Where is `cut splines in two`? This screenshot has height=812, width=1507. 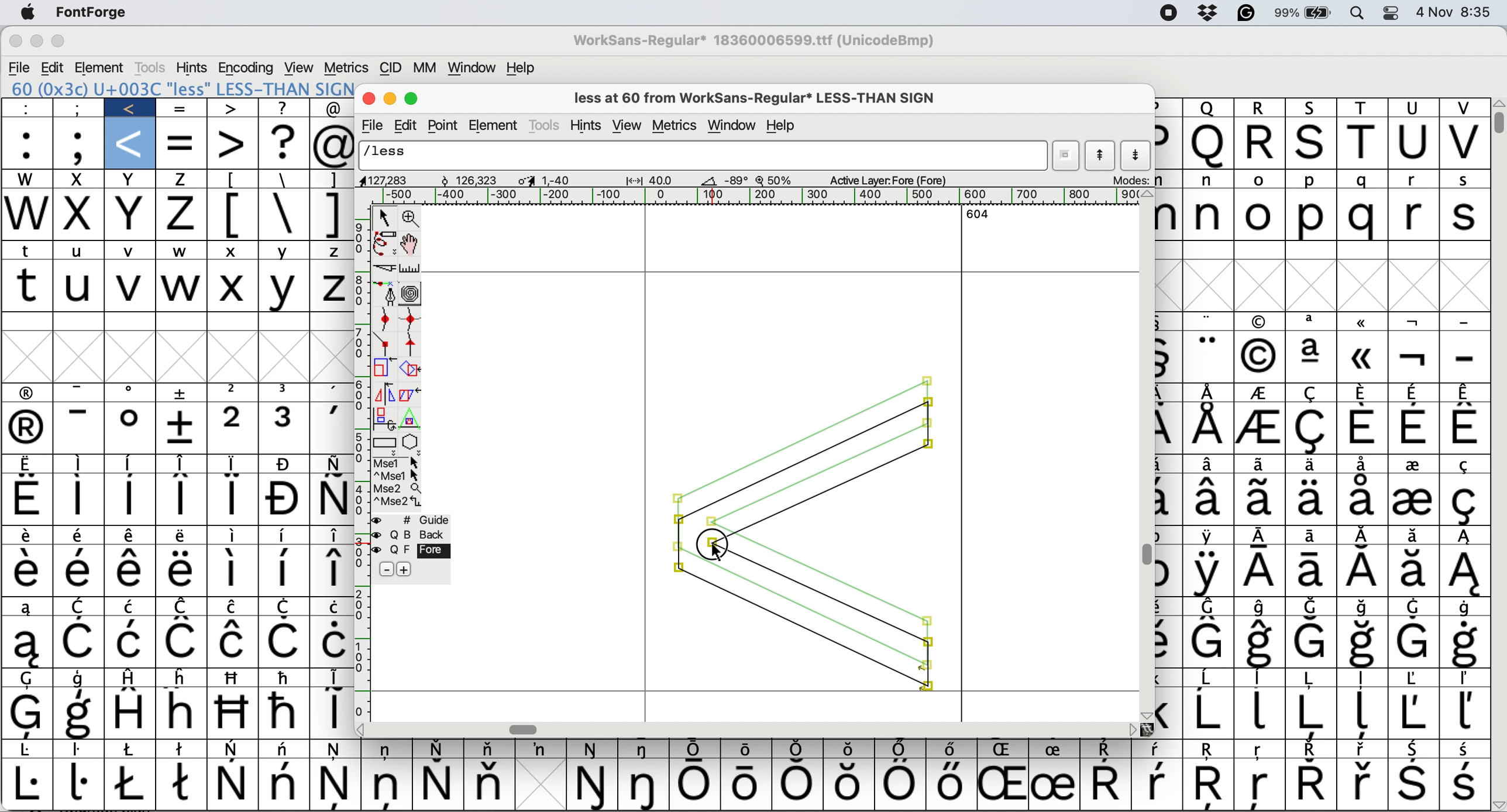 cut splines in two is located at coordinates (385, 270).